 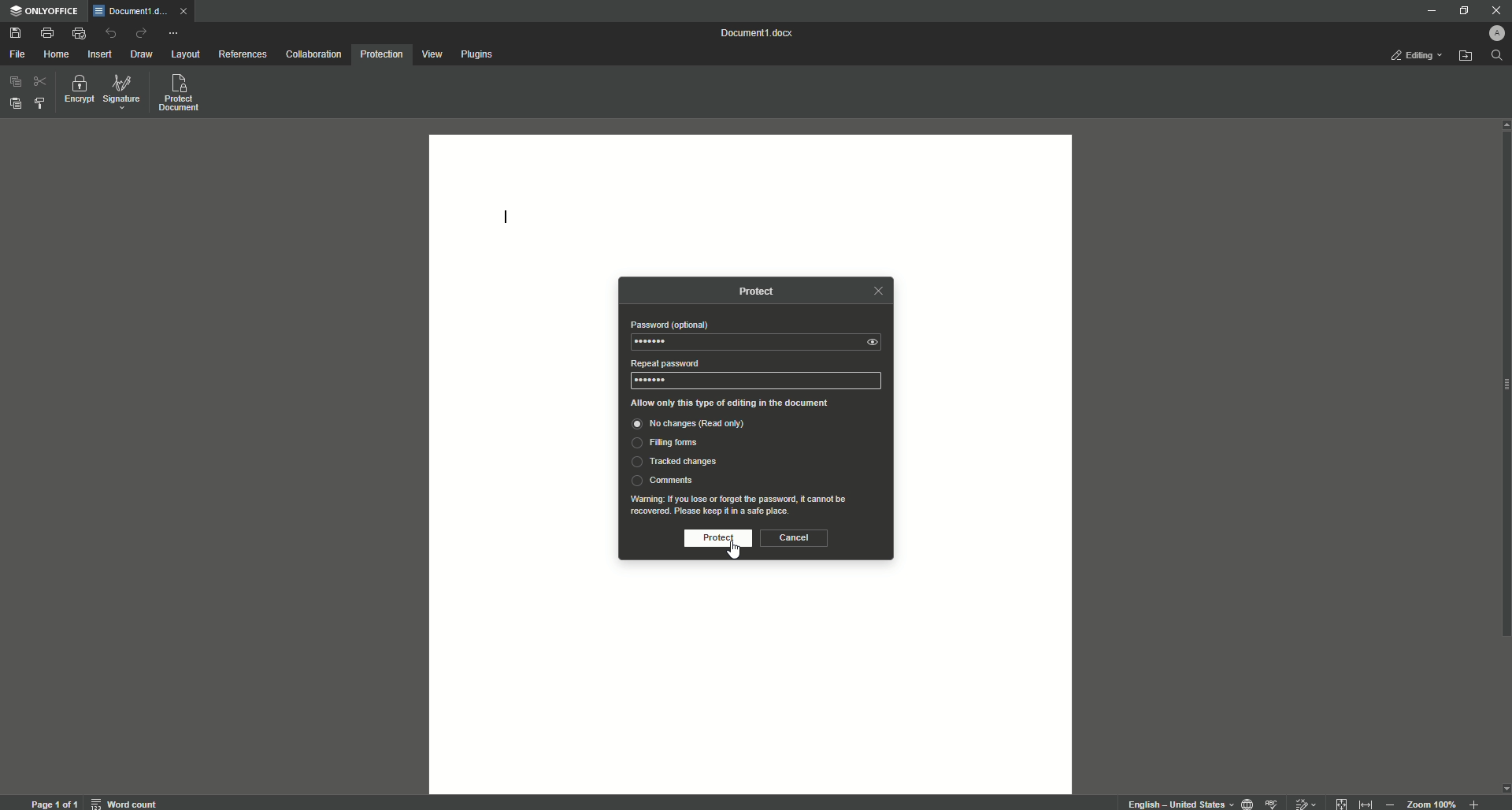 I want to click on Tracked Changes, so click(x=673, y=463).